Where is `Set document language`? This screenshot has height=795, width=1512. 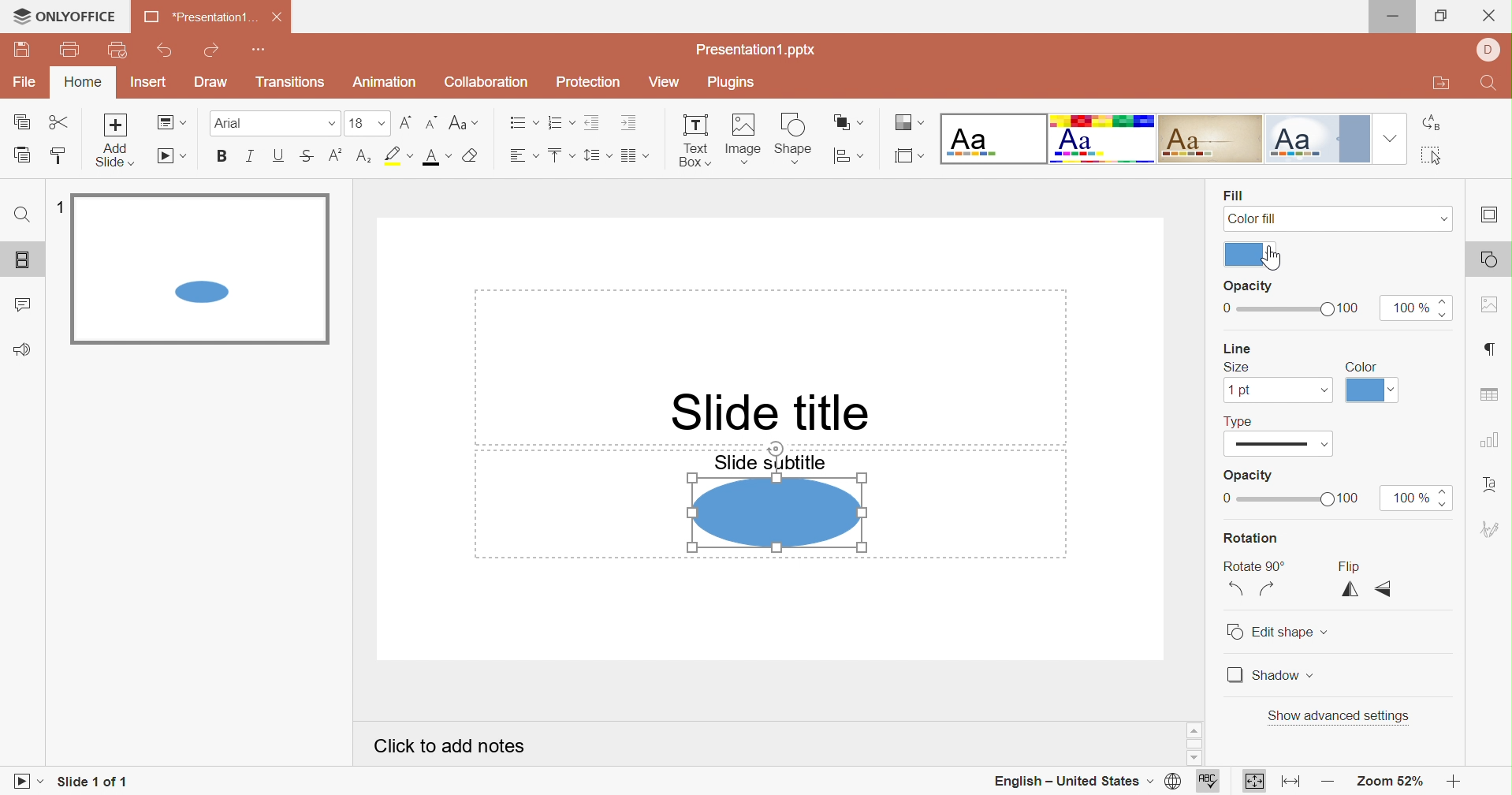
Set document language is located at coordinates (1174, 782).